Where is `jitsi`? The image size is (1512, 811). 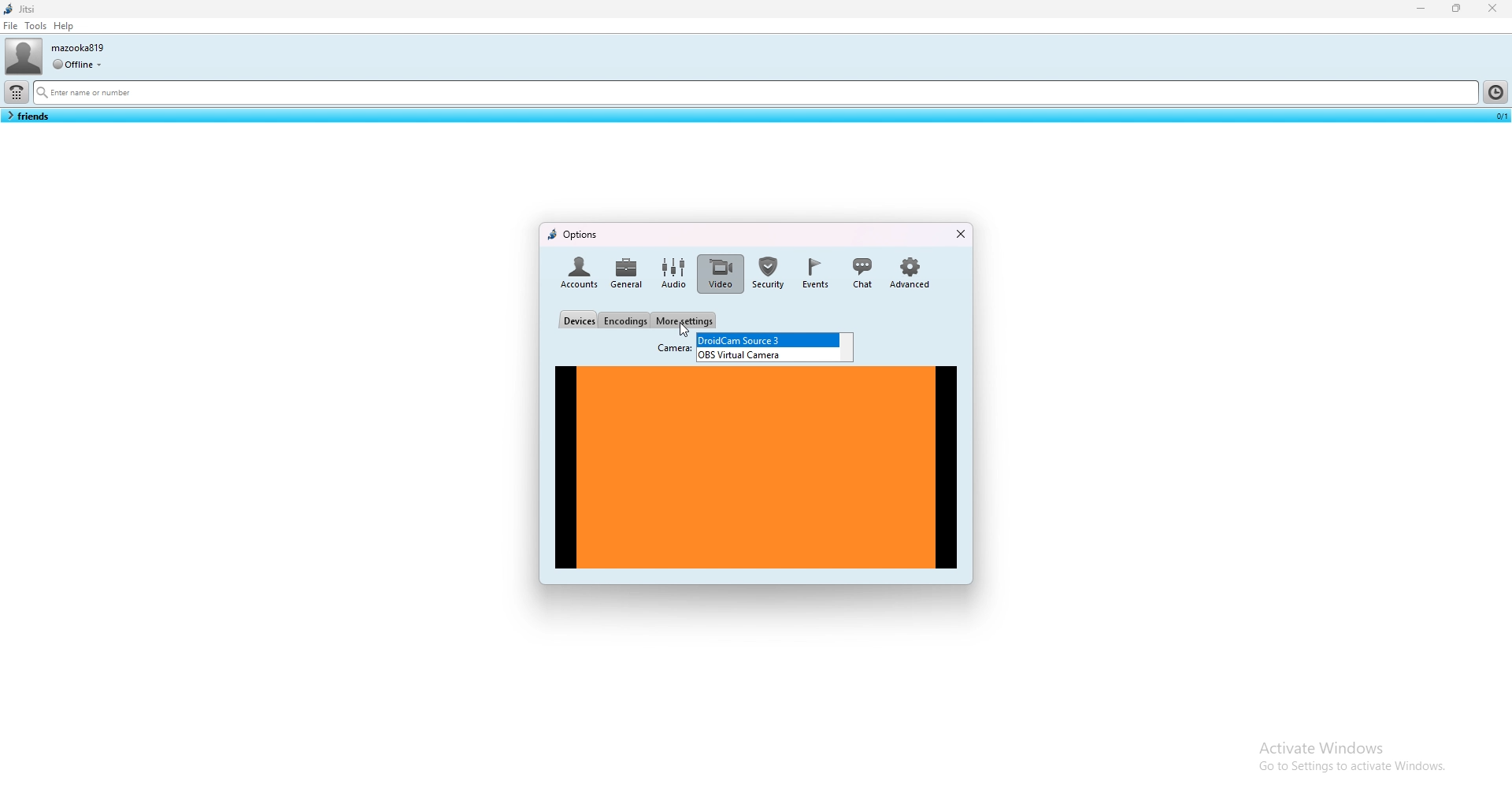 jitsi is located at coordinates (23, 9).